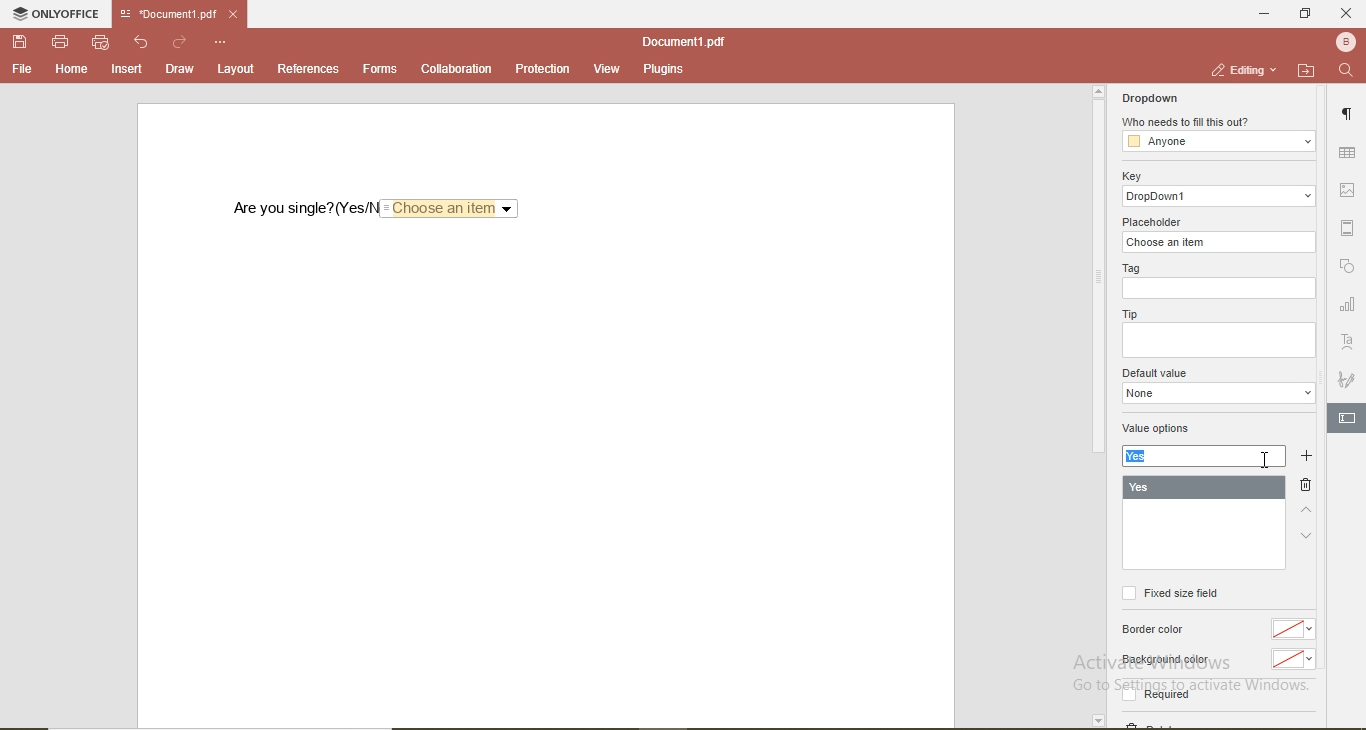 The image size is (1366, 730). Describe the element at coordinates (379, 69) in the screenshot. I see `forms` at that location.